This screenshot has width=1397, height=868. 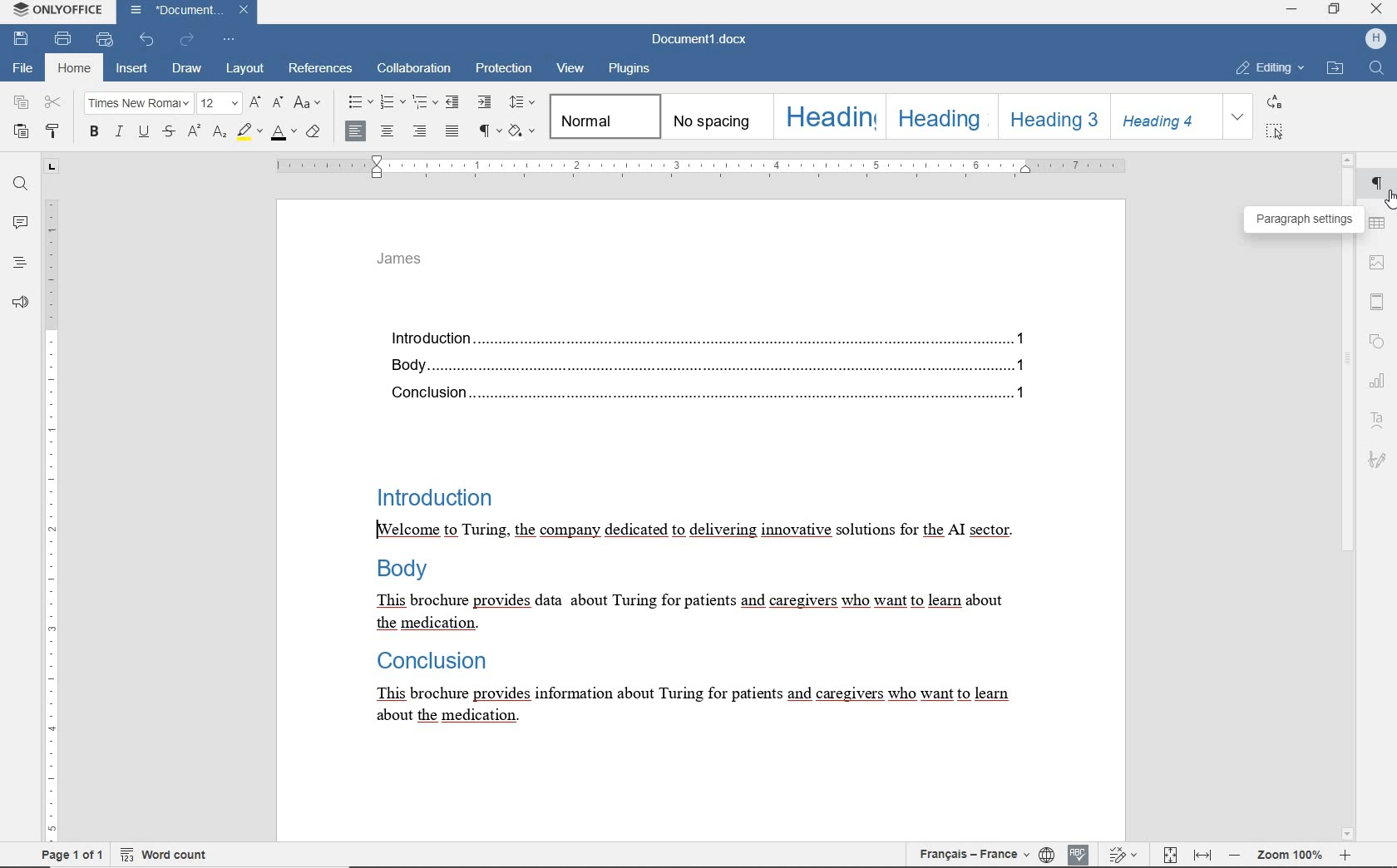 What do you see at coordinates (938, 116) in the screenshot?
I see `heading 2` at bounding box center [938, 116].